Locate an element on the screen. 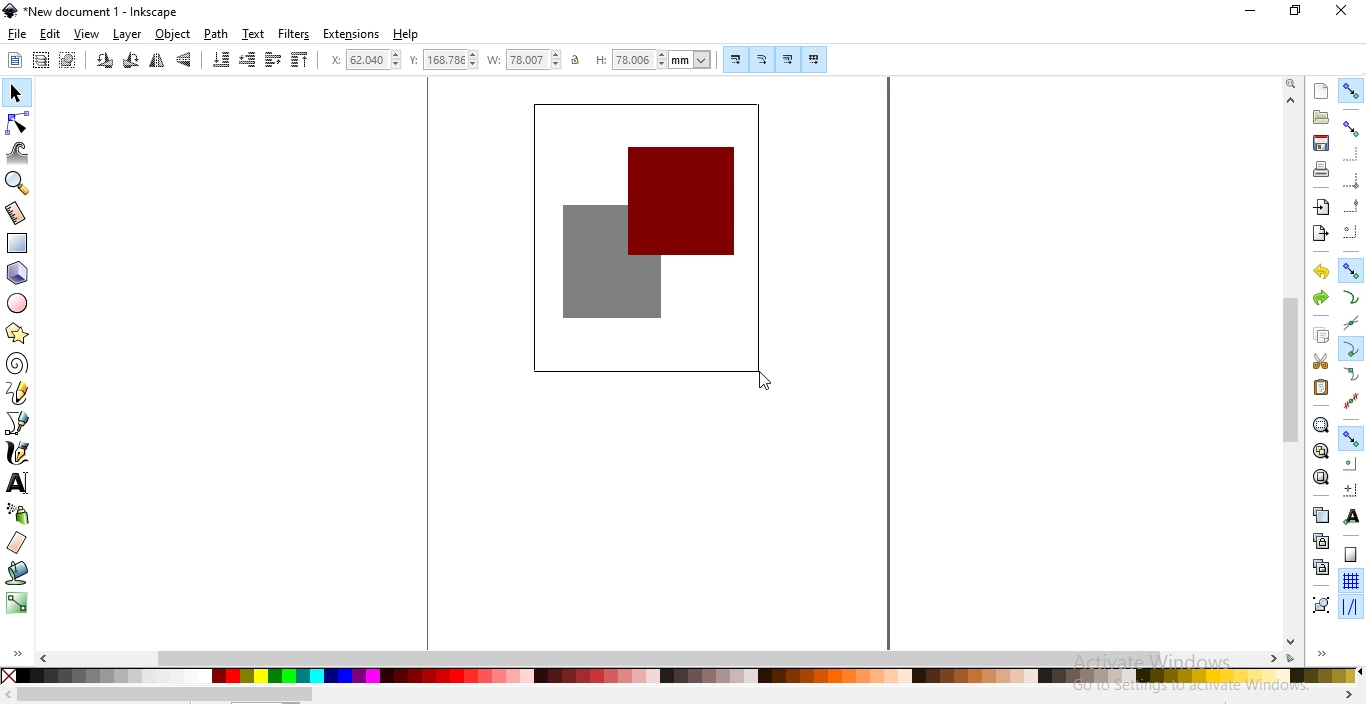 This screenshot has width=1366, height=704. open existing document is located at coordinates (1321, 117).